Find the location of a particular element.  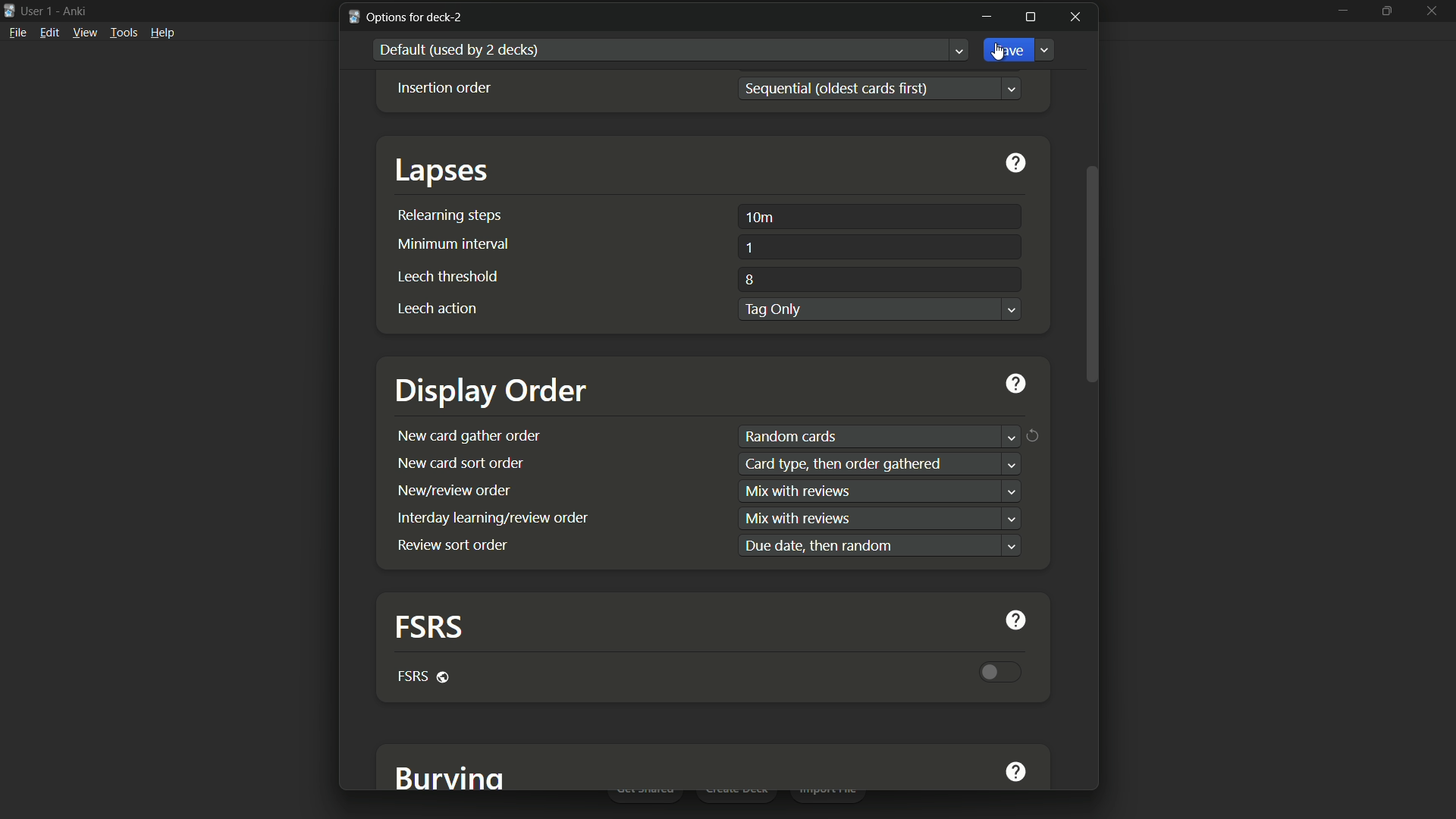

Dropdown is located at coordinates (1013, 90).